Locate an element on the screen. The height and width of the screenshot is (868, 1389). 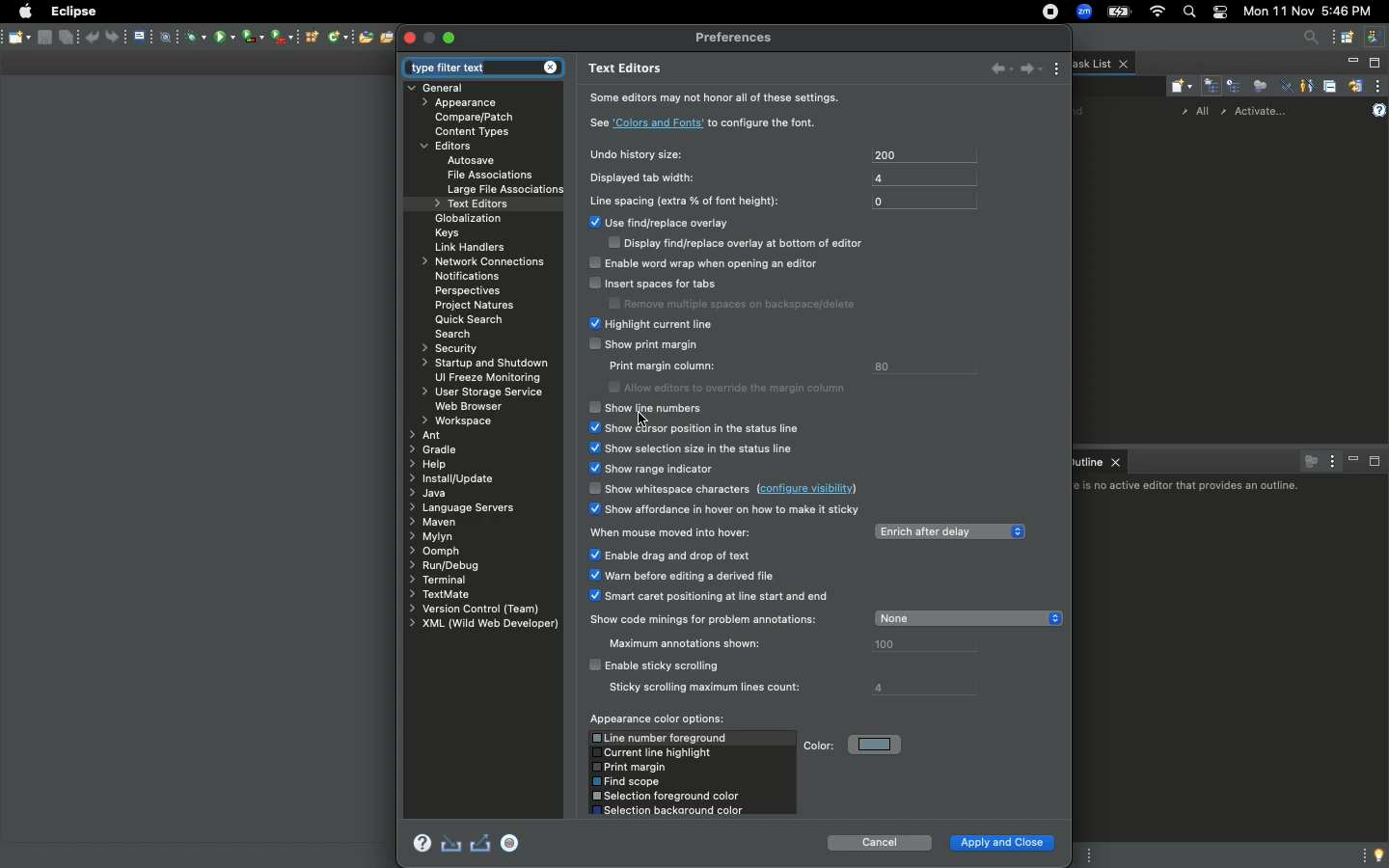
Save is located at coordinates (17, 38).